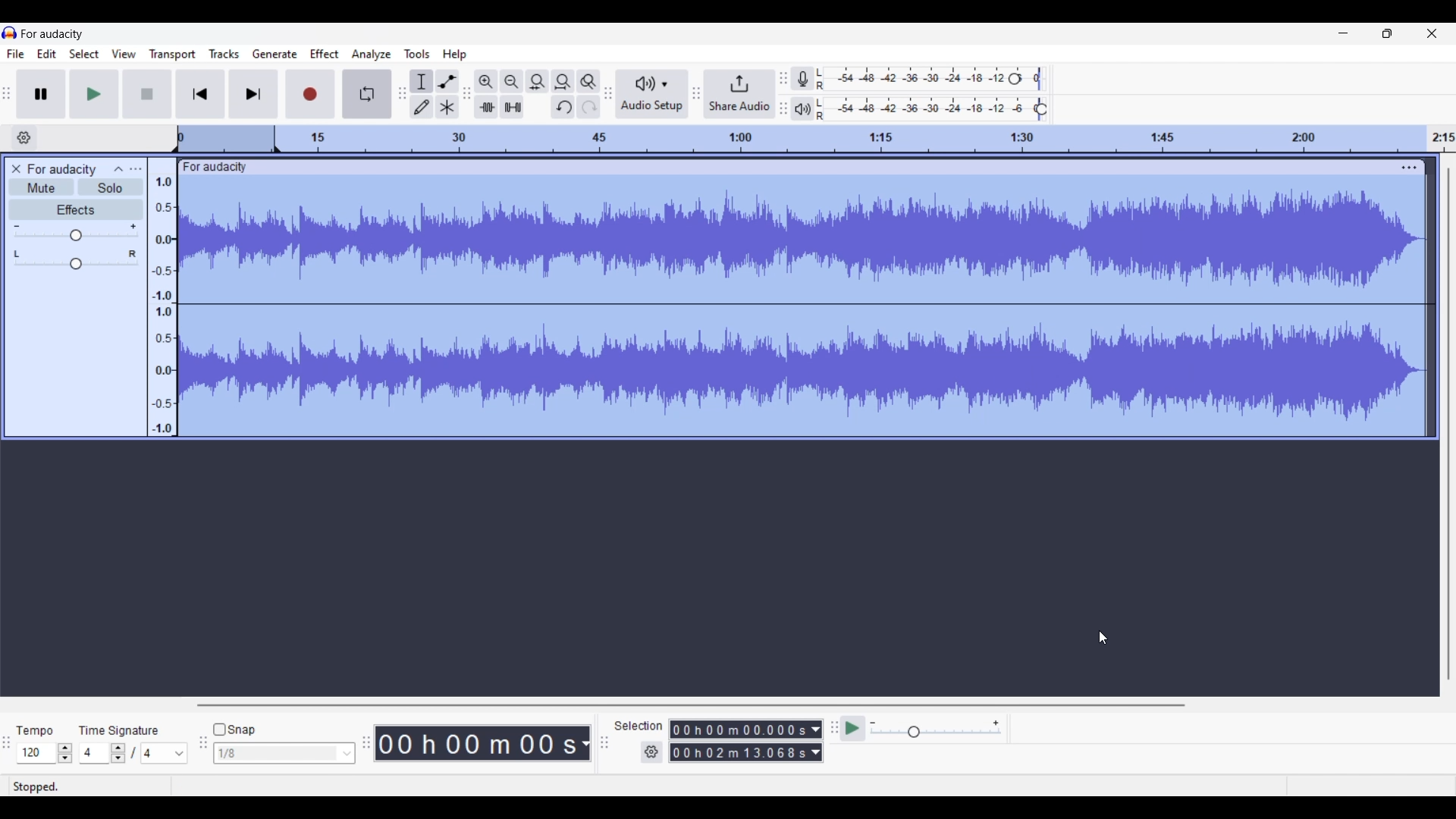  Describe the element at coordinates (447, 106) in the screenshot. I see `Multi-tool` at that location.